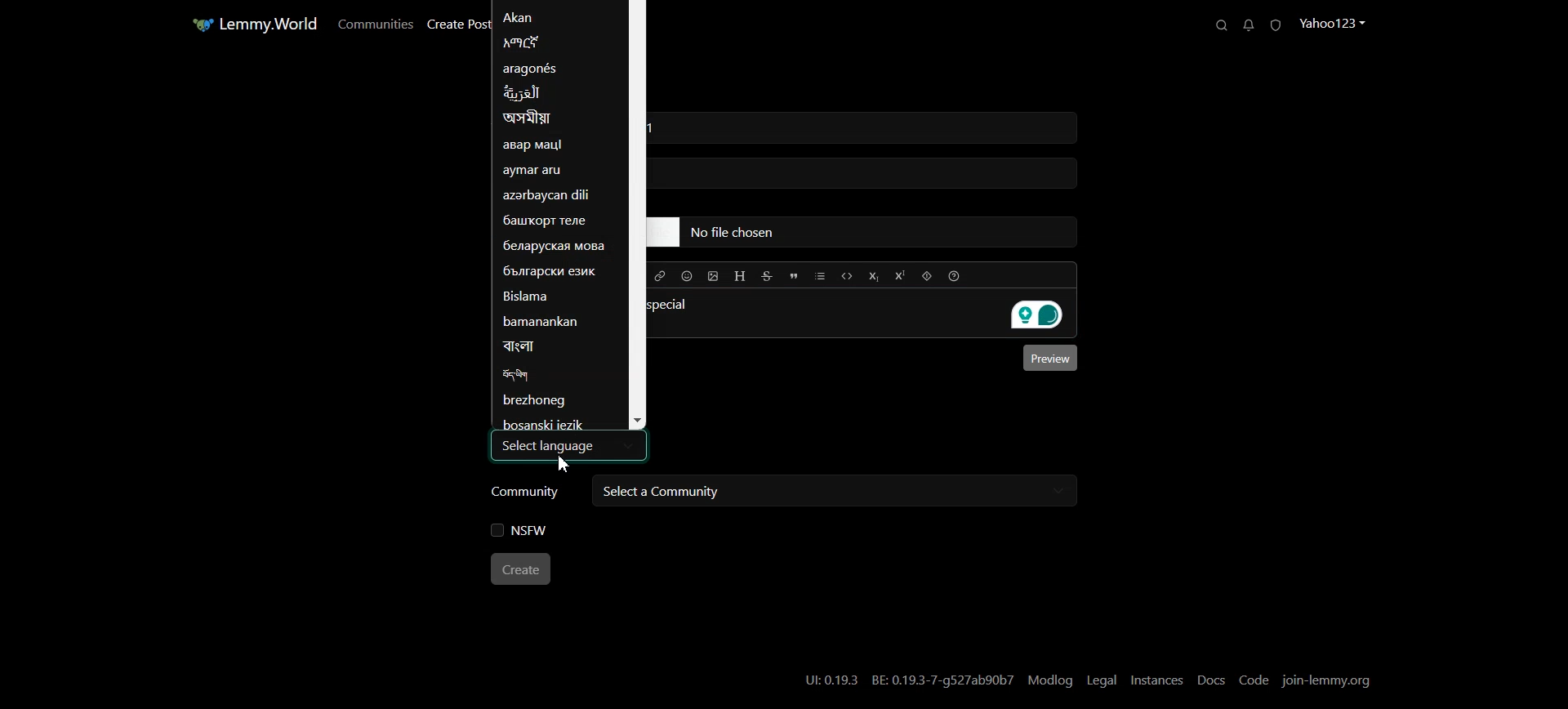 This screenshot has width=1568, height=709. Describe the element at coordinates (794, 277) in the screenshot. I see `Quote` at that location.